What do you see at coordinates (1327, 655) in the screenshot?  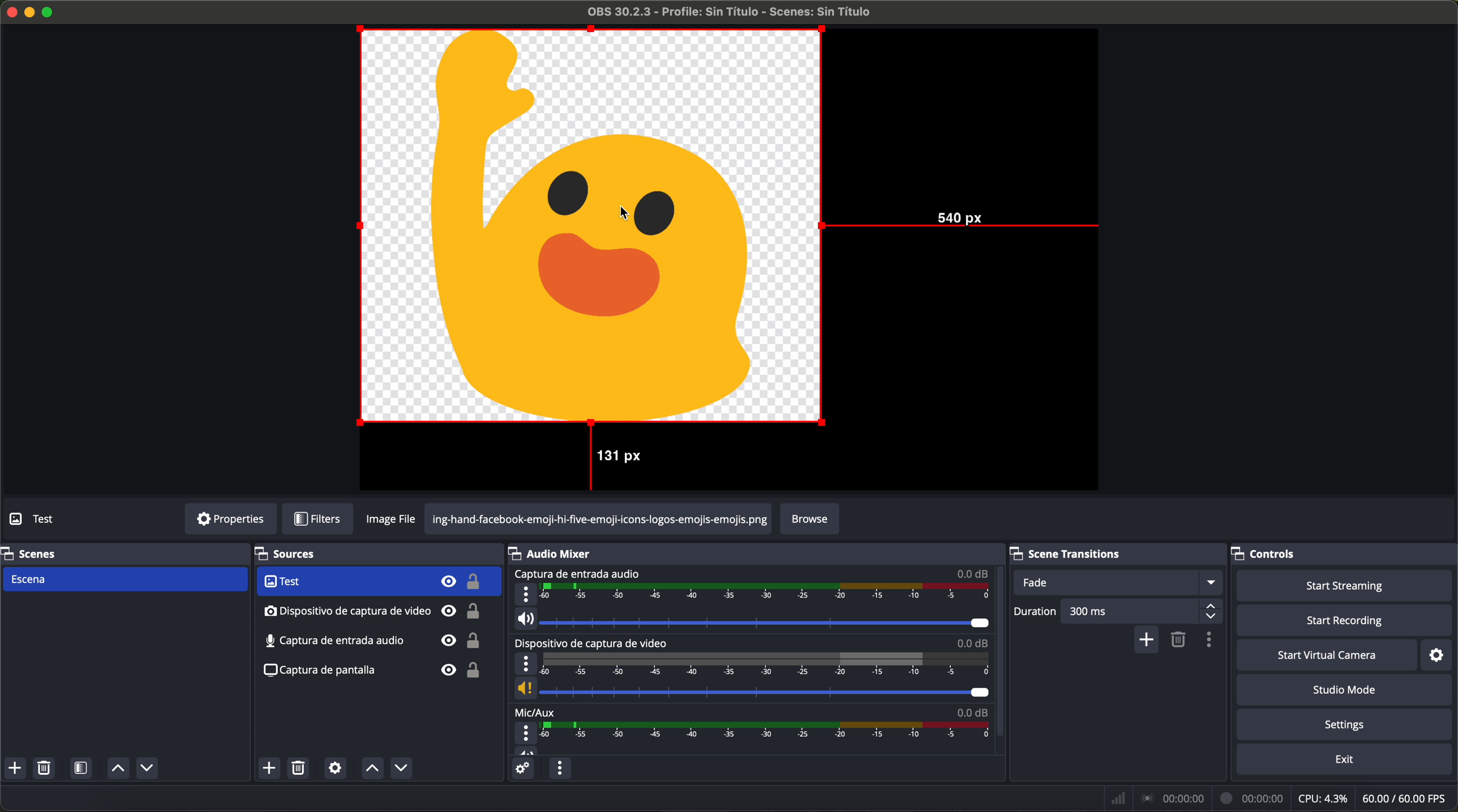 I see `start virtual camera` at bounding box center [1327, 655].